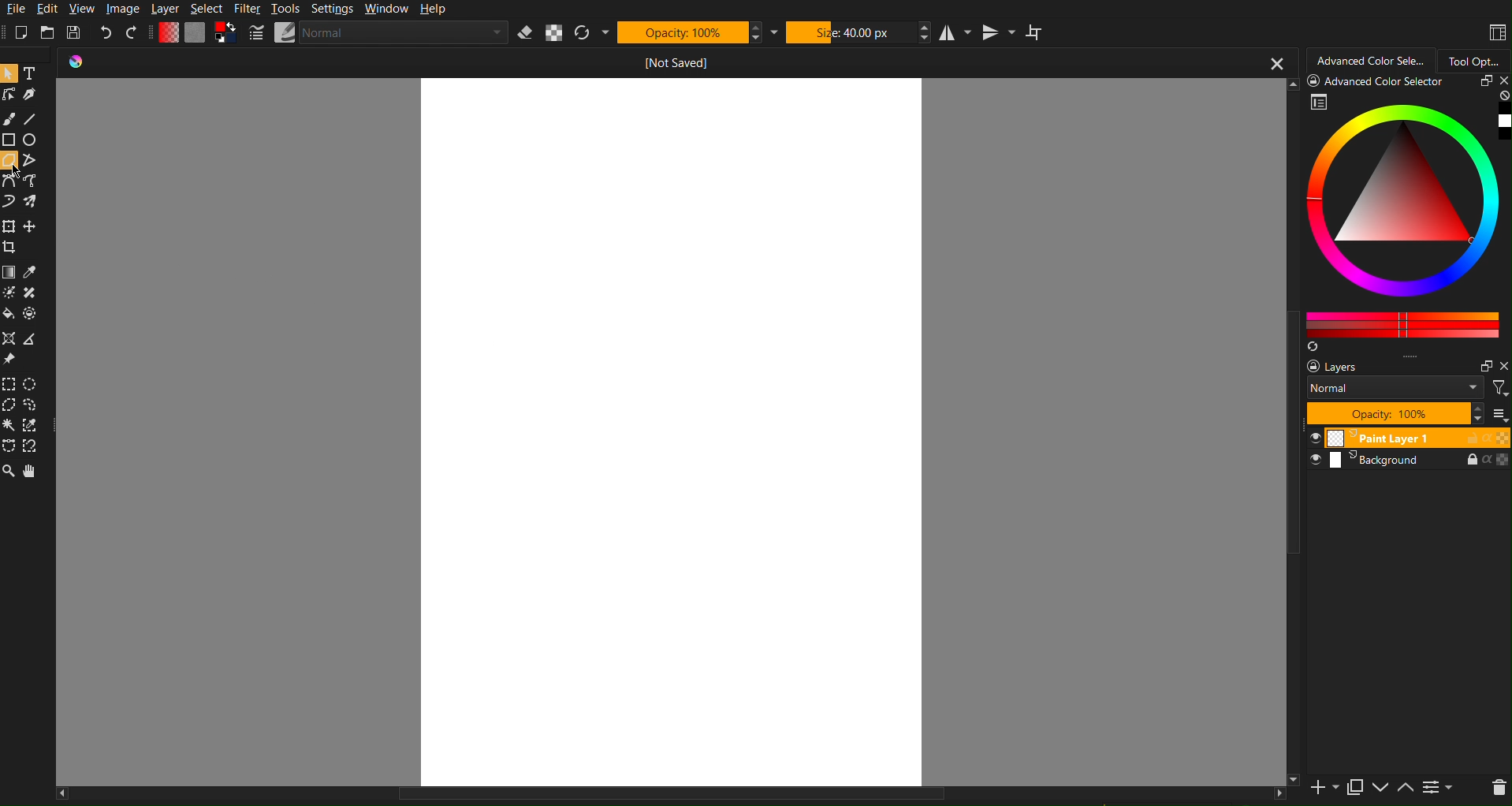  I want to click on draw a gradient, so click(9, 271).